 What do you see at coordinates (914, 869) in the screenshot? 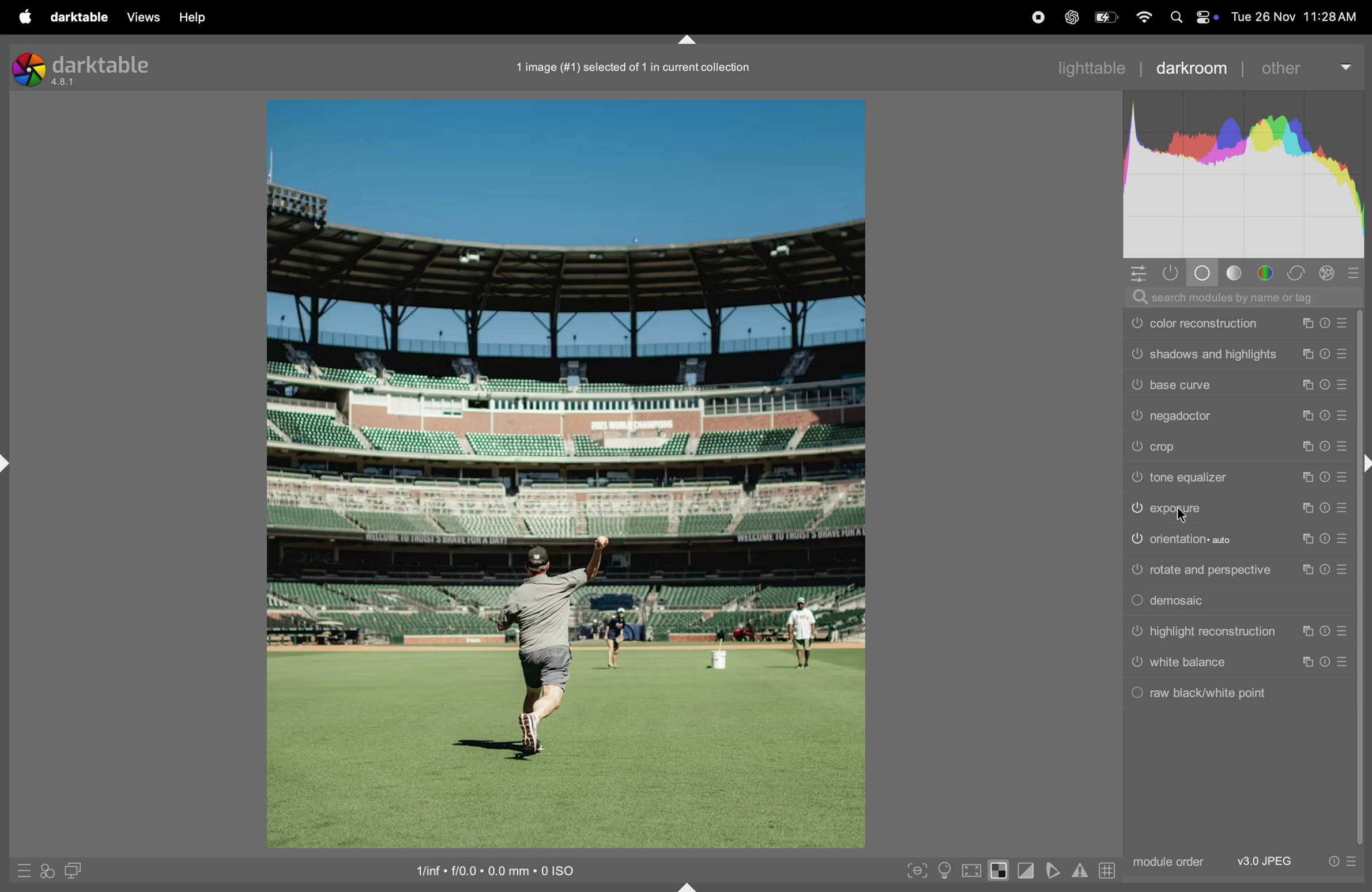
I see `toggle peaking focus mode` at bounding box center [914, 869].